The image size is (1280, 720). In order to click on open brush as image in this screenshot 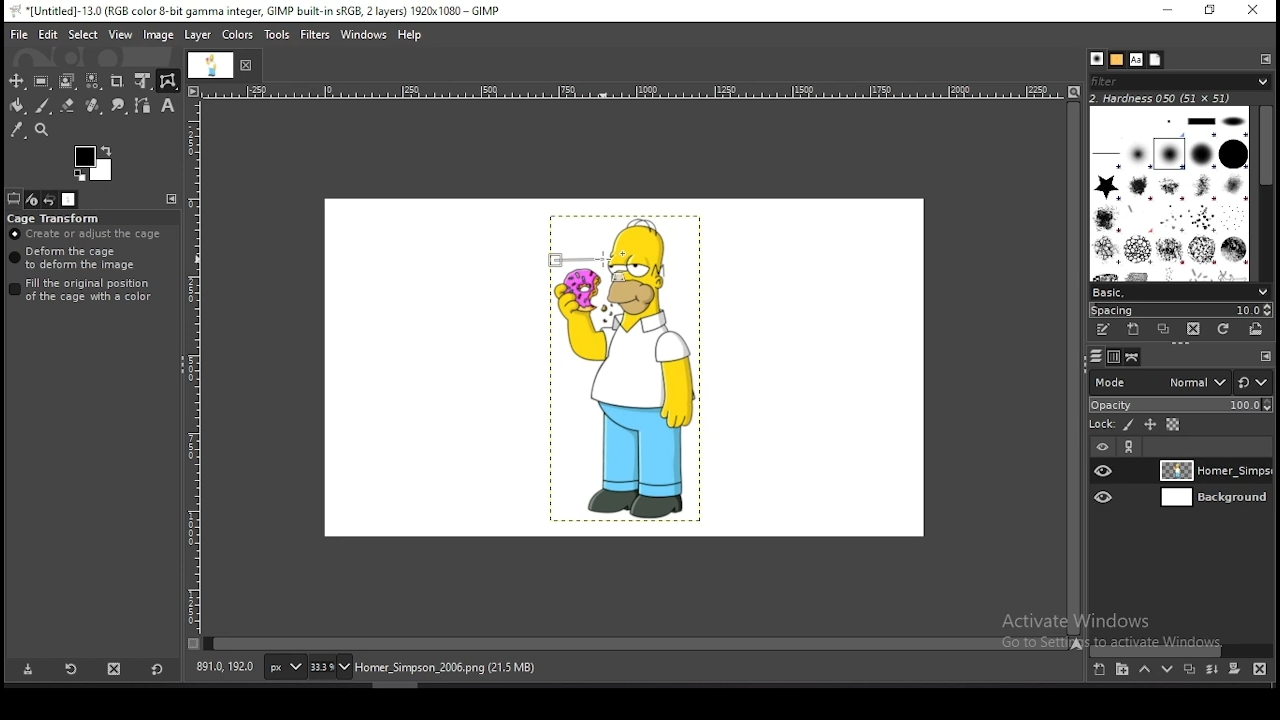, I will do `click(1256, 328)`.